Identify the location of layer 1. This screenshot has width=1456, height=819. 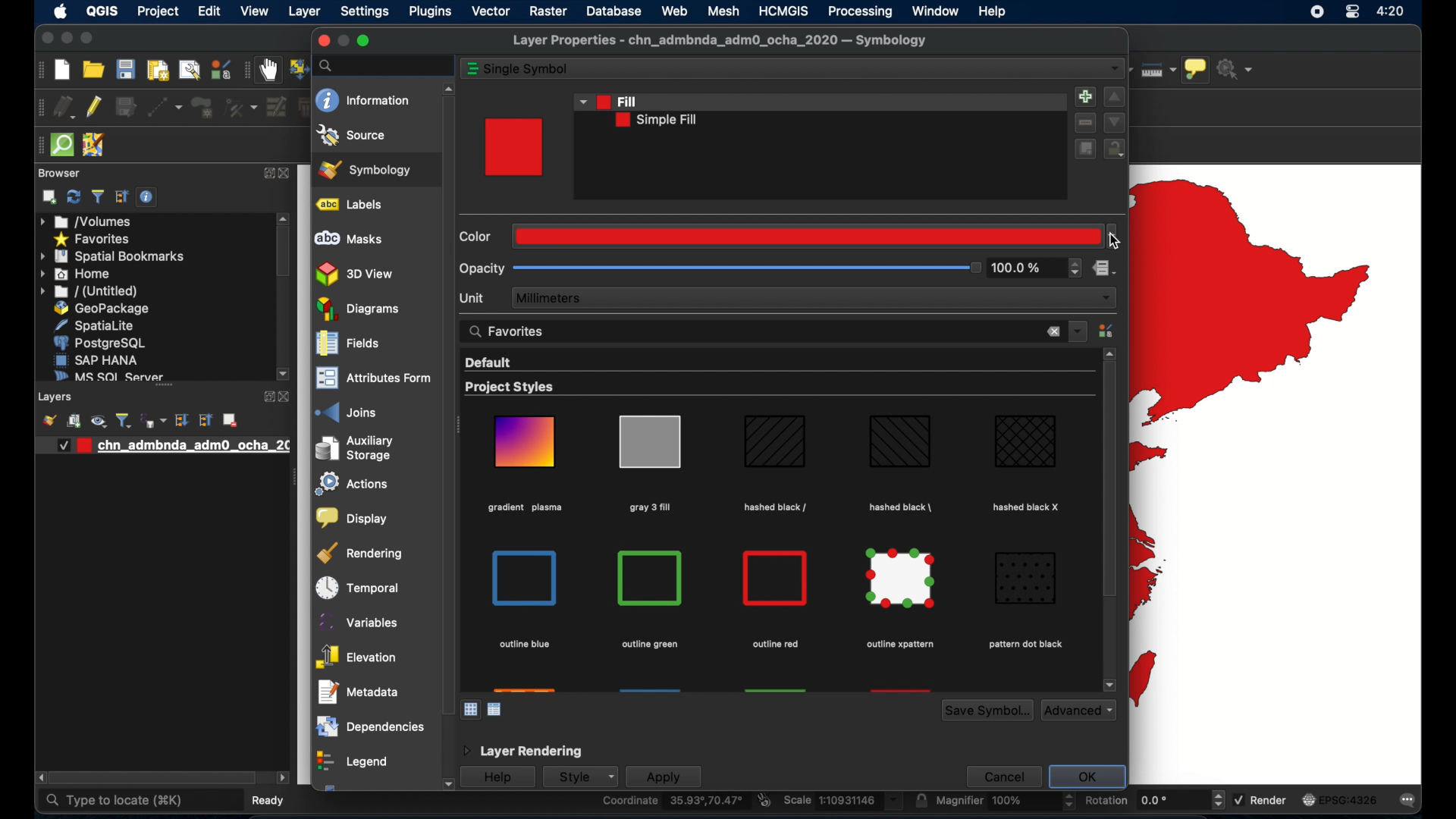
(169, 446).